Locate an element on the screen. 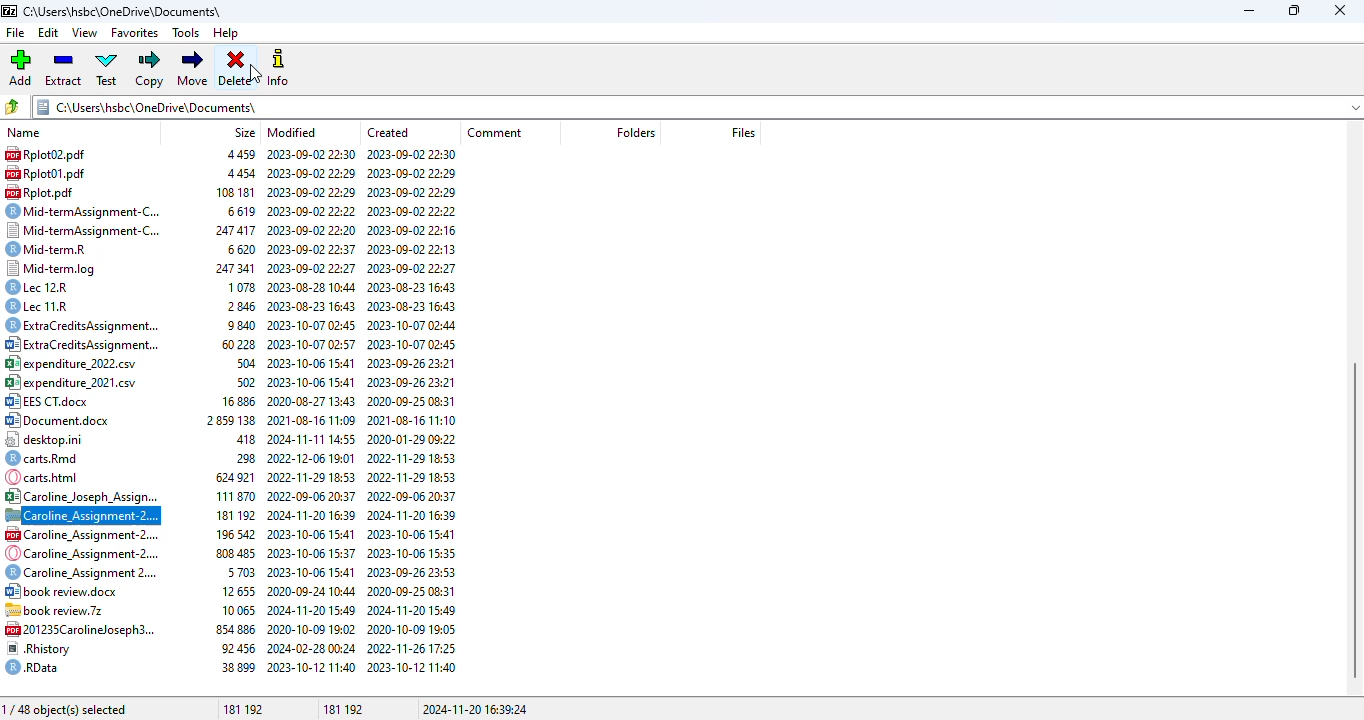  Coating Junin Asti... is located at coordinates (81, 495).